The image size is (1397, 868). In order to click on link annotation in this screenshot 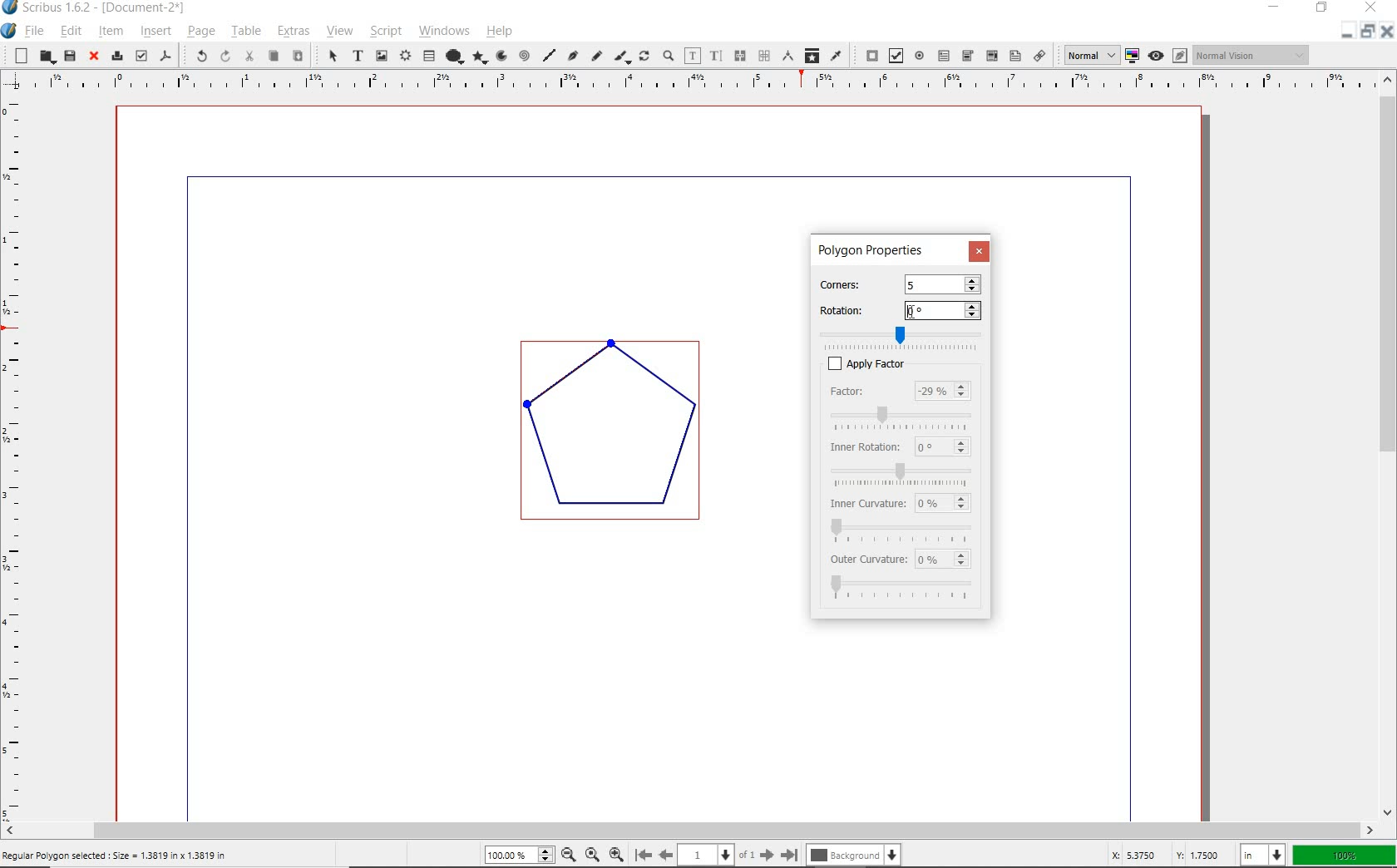, I will do `click(1039, 57)`.